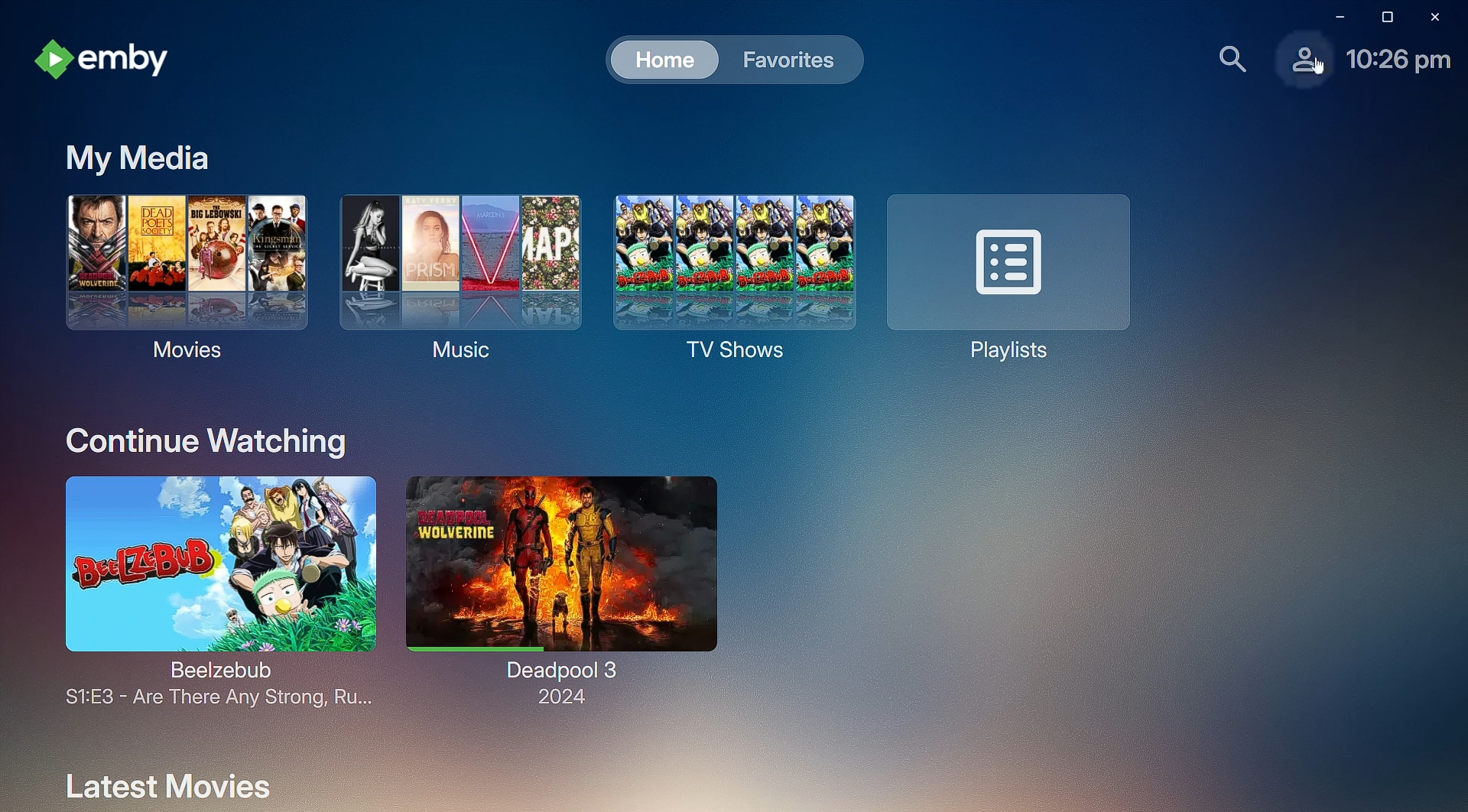 Image resolution: width=1468 pixels, height=812 pixels. I want to click on Favorites, so click(788, 59).